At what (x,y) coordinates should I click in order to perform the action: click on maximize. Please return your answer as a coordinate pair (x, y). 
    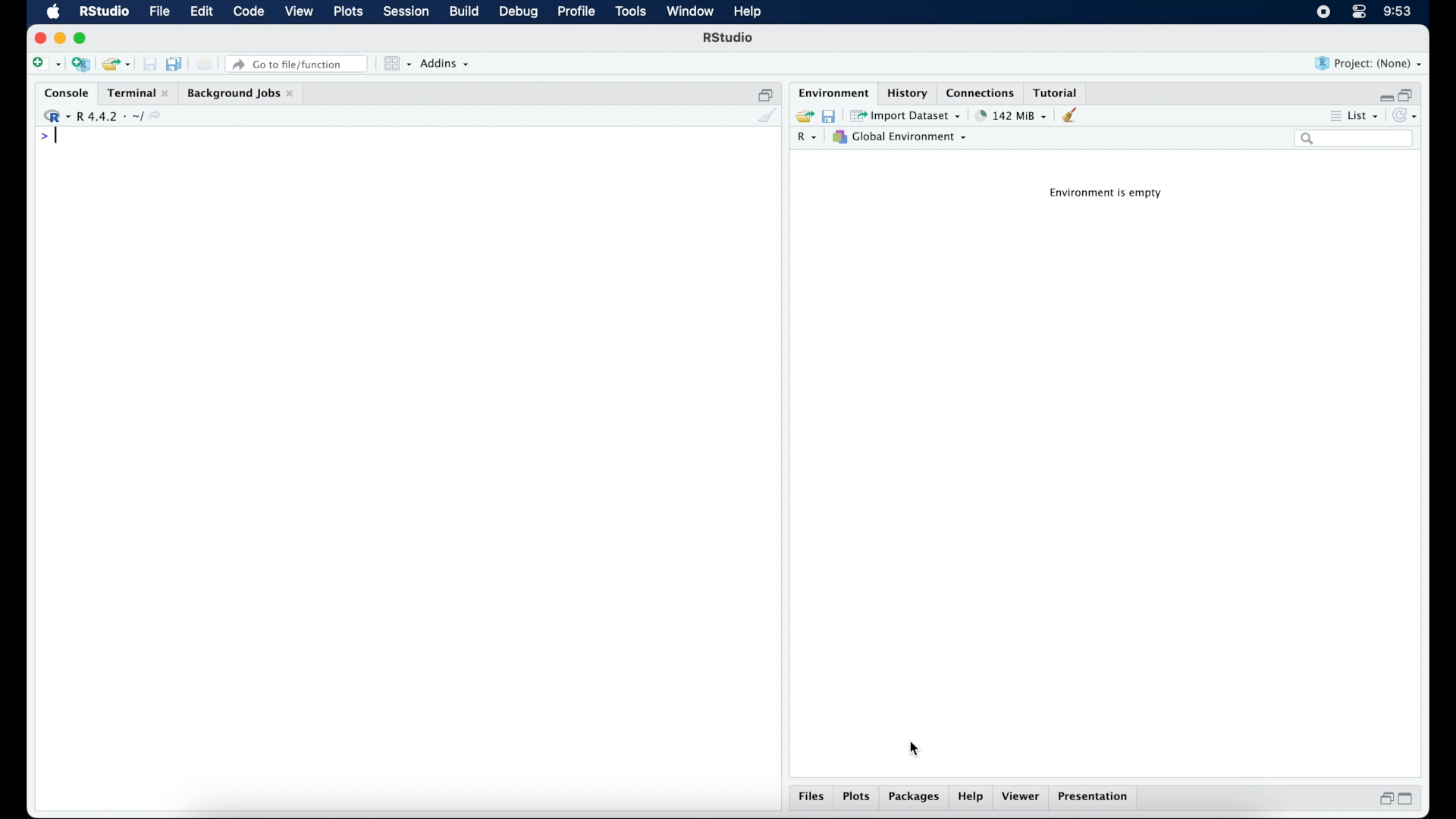
    Looking at the image, I should click on (83, 39).